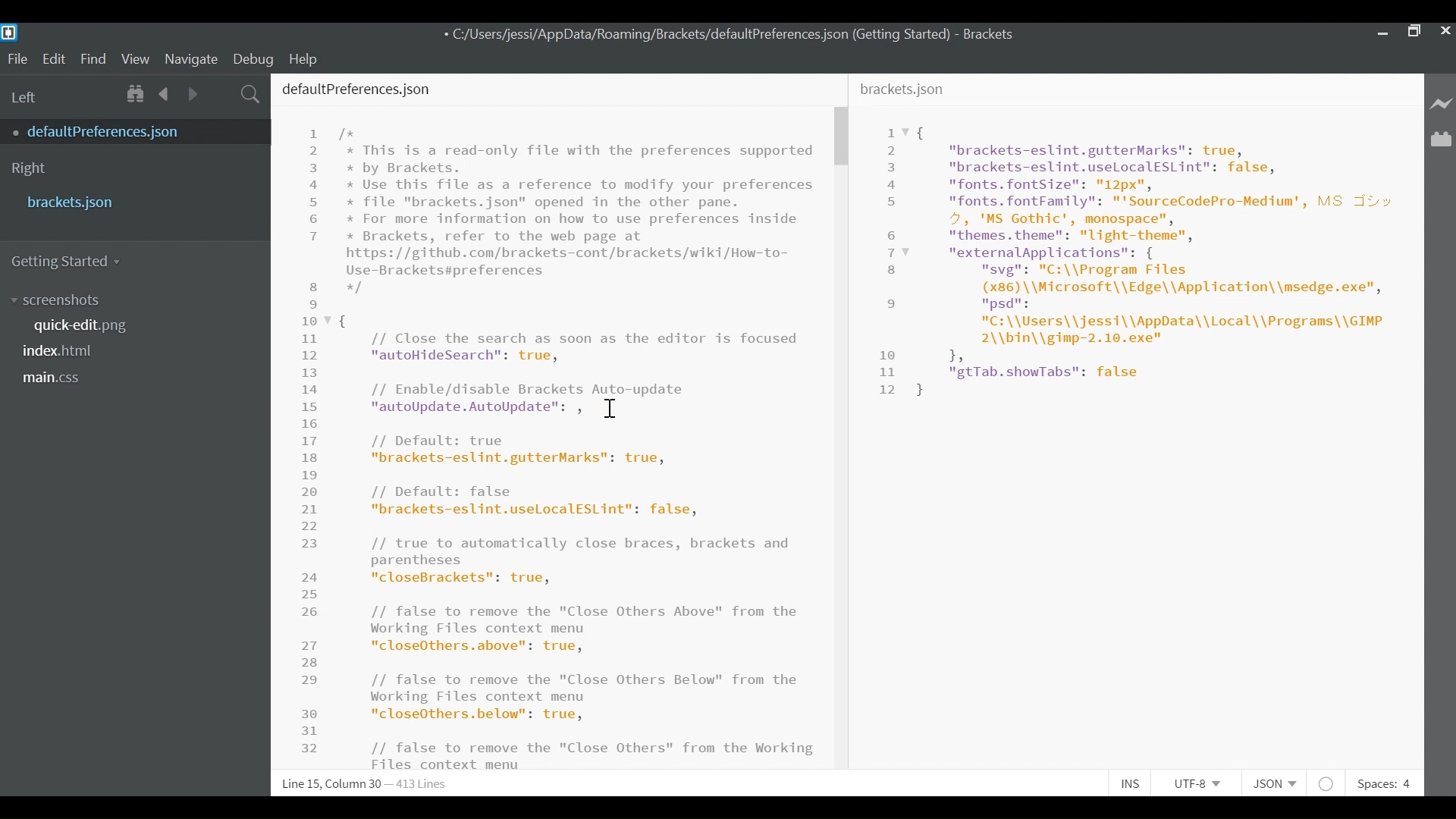 This screenshot has height=819, width=1456. I want to click on Screenshot, so click(58, 301).